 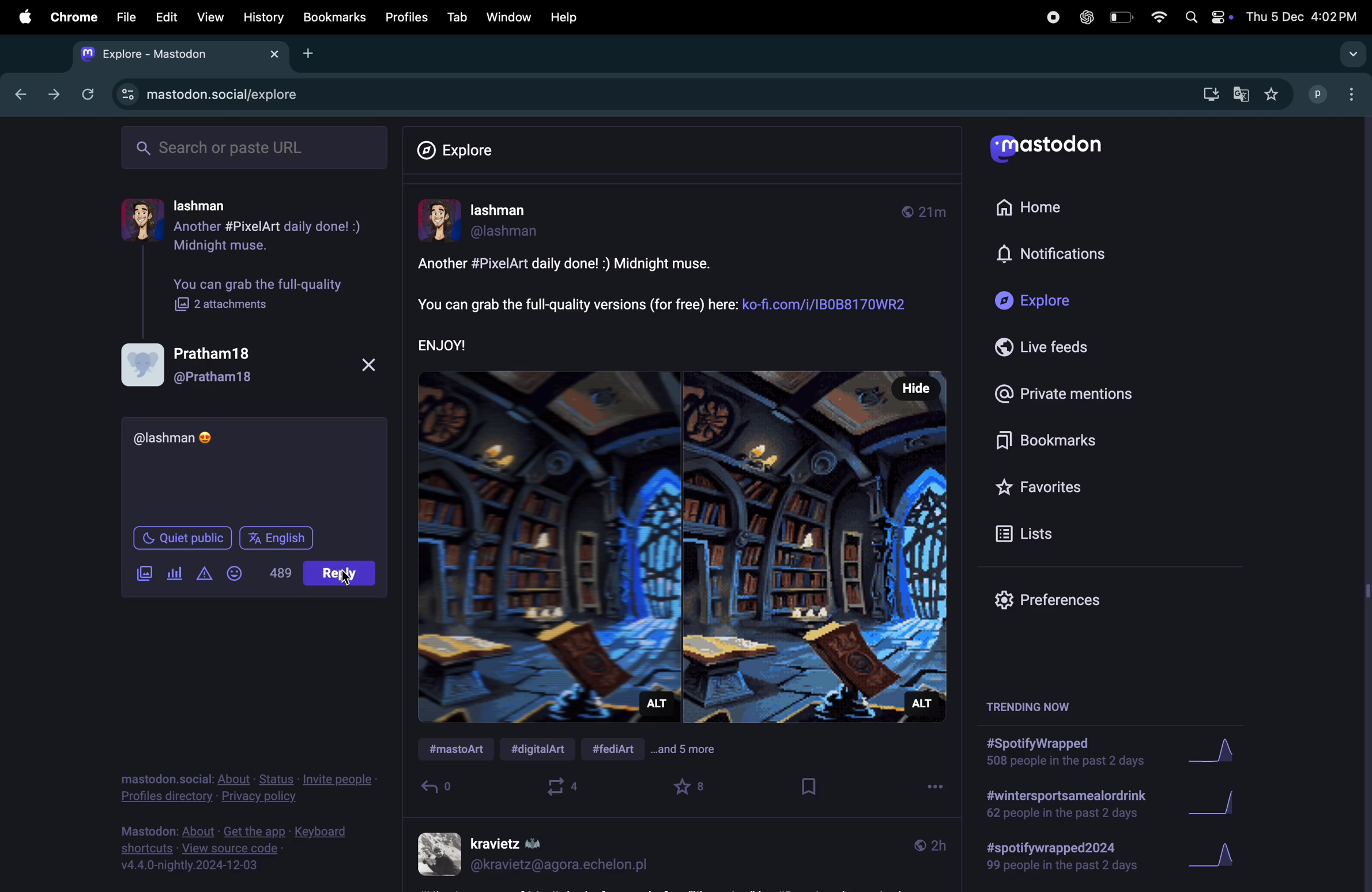 What do you see at coordinates (129, 17) in the screenshot?
I see `file` at bounding box center [129, 17].